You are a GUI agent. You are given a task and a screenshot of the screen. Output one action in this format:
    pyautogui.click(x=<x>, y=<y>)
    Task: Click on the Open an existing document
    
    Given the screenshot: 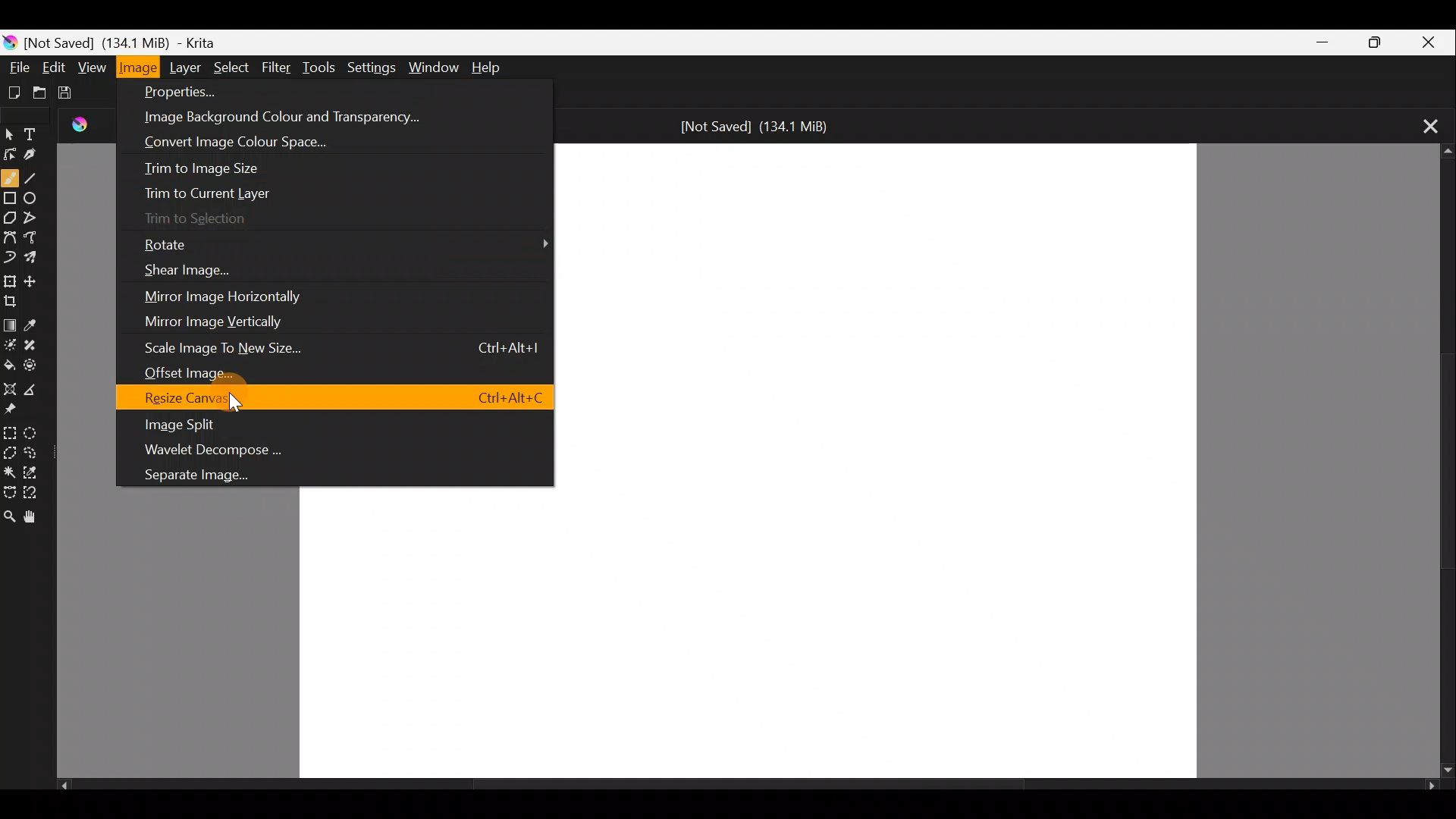 What is the action you would take?
    pyautogui.click(x=46, y=93)
    